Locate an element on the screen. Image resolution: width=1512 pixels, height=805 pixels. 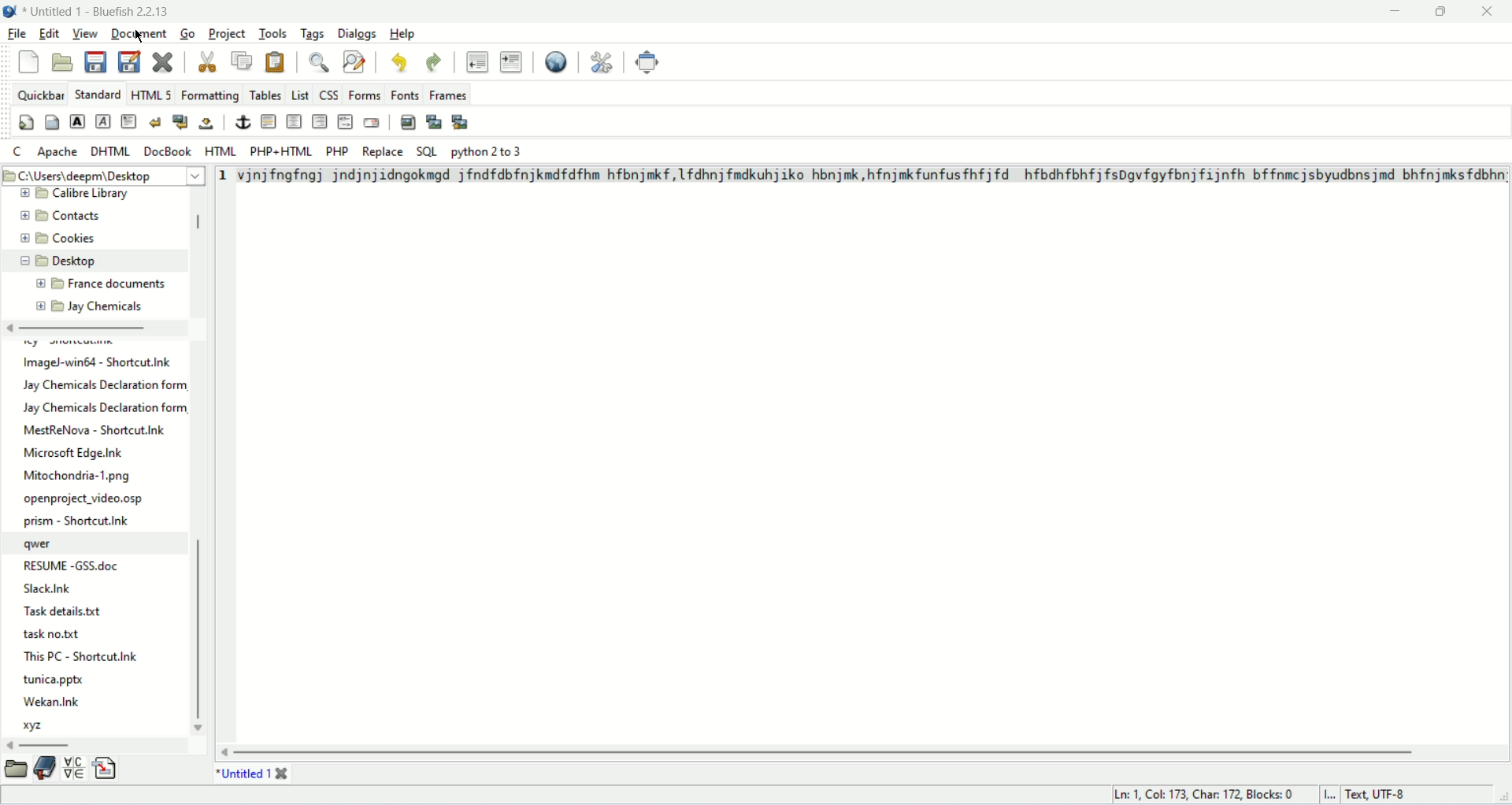
SQL is located at coordinates (427, 152).